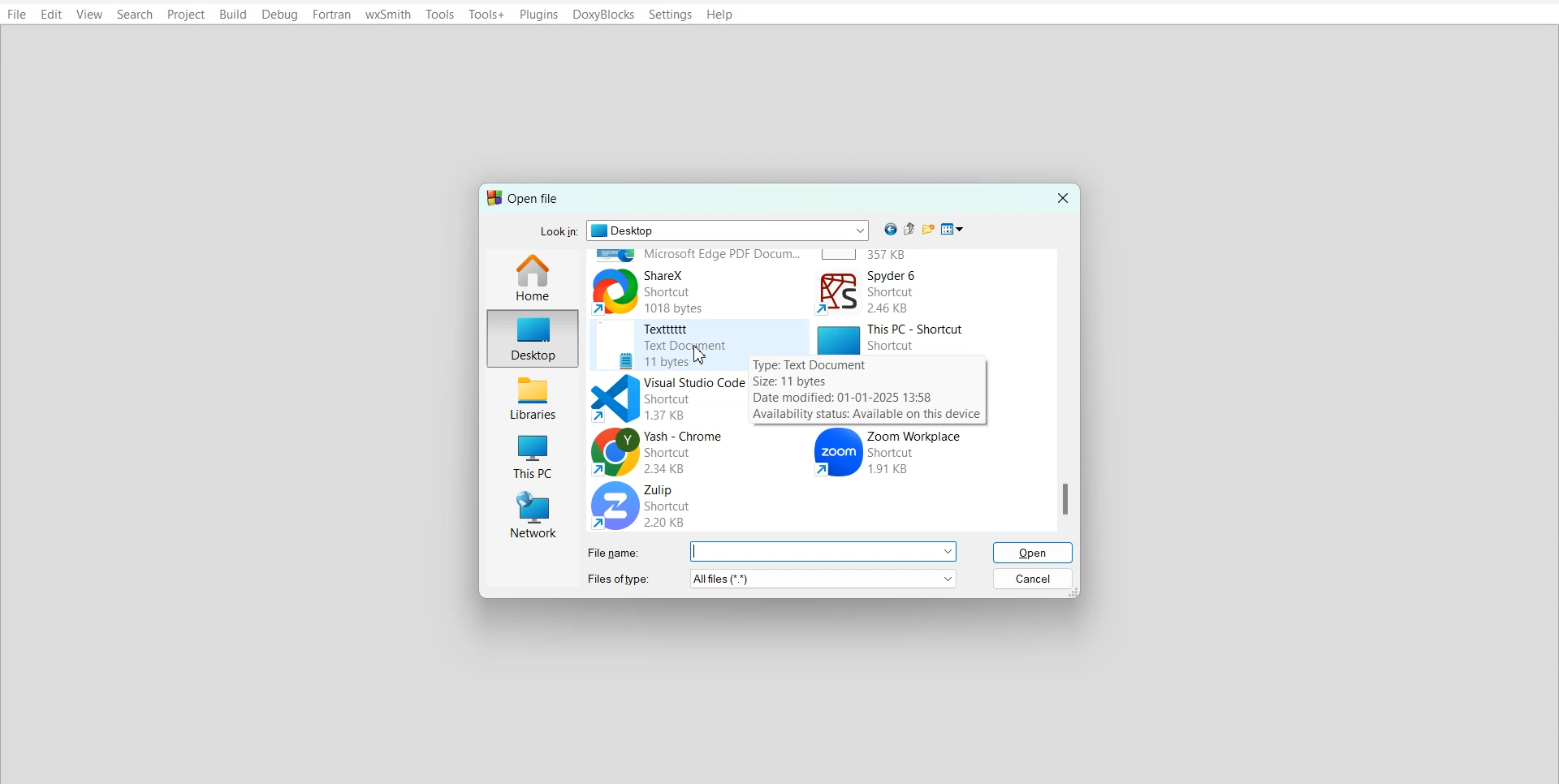  Describe the element at coordinates (525, 198) in the screenshot. I see `Text` at that location.